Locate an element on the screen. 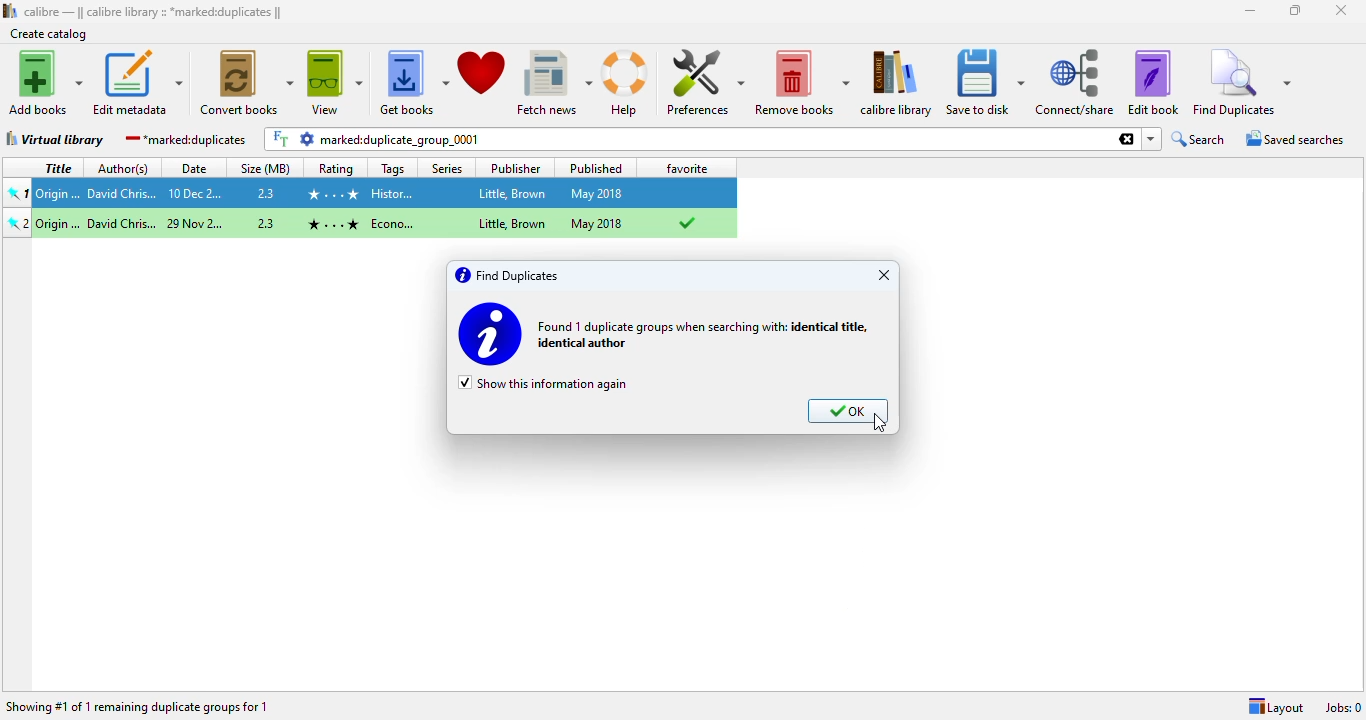 This screenshot has height=720, width=1366. edit metadata is located at coordinates (139, 82).